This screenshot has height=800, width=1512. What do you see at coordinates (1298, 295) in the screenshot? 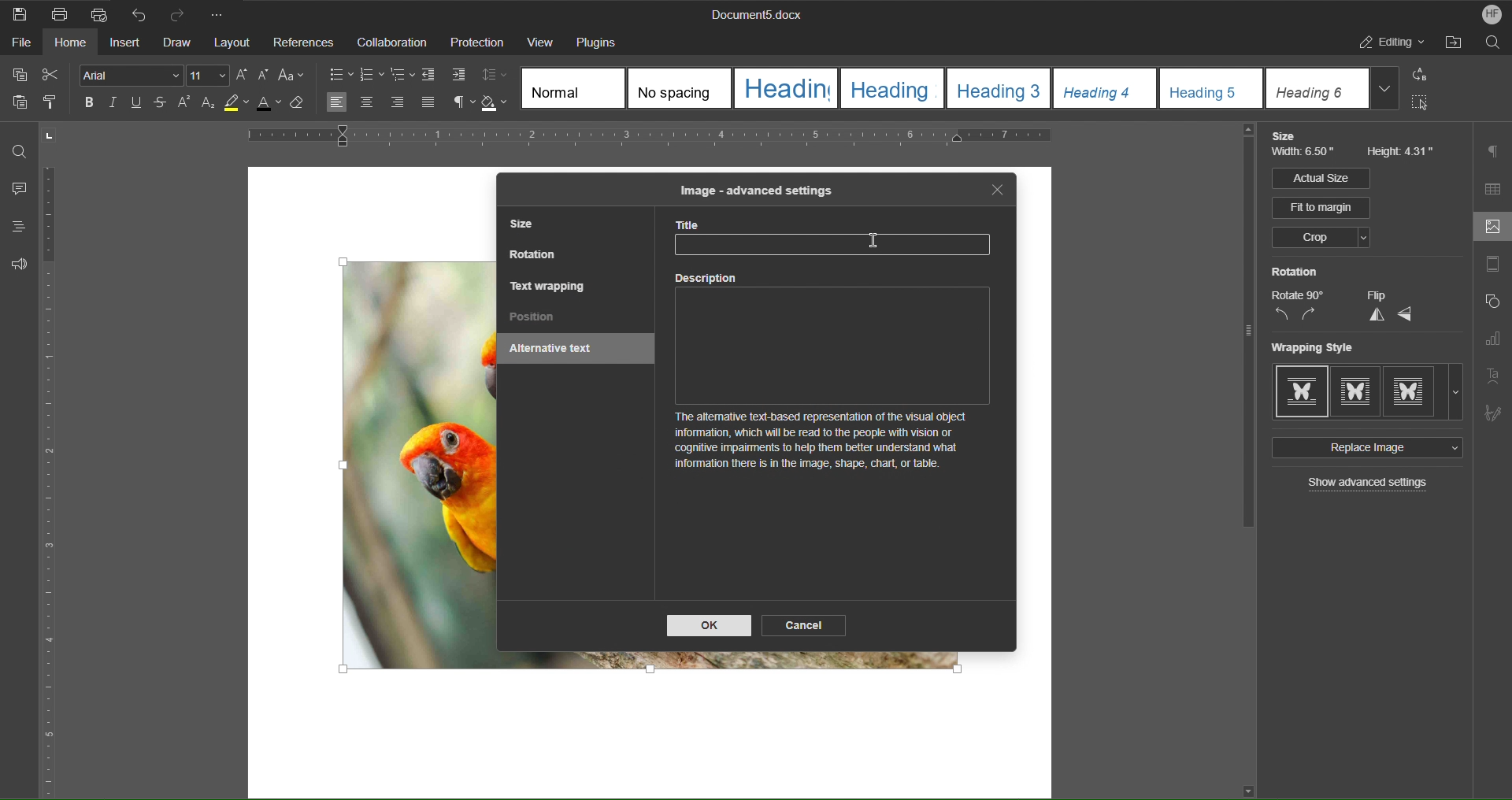
I see `Rotate 90` at bounding box center [1298, 295].